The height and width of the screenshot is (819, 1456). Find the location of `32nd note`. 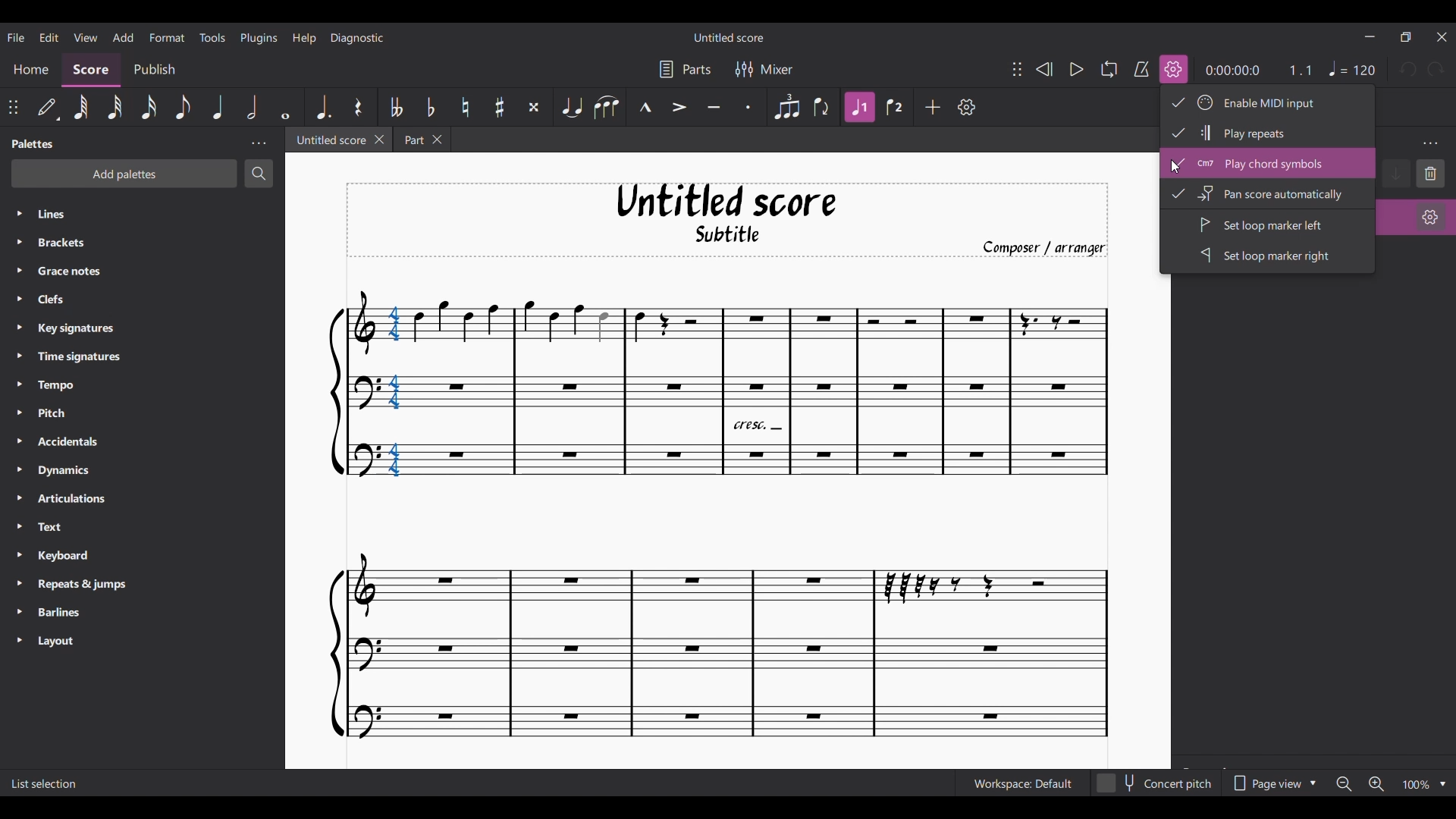

32nd note is located at coordinates (115, 108).